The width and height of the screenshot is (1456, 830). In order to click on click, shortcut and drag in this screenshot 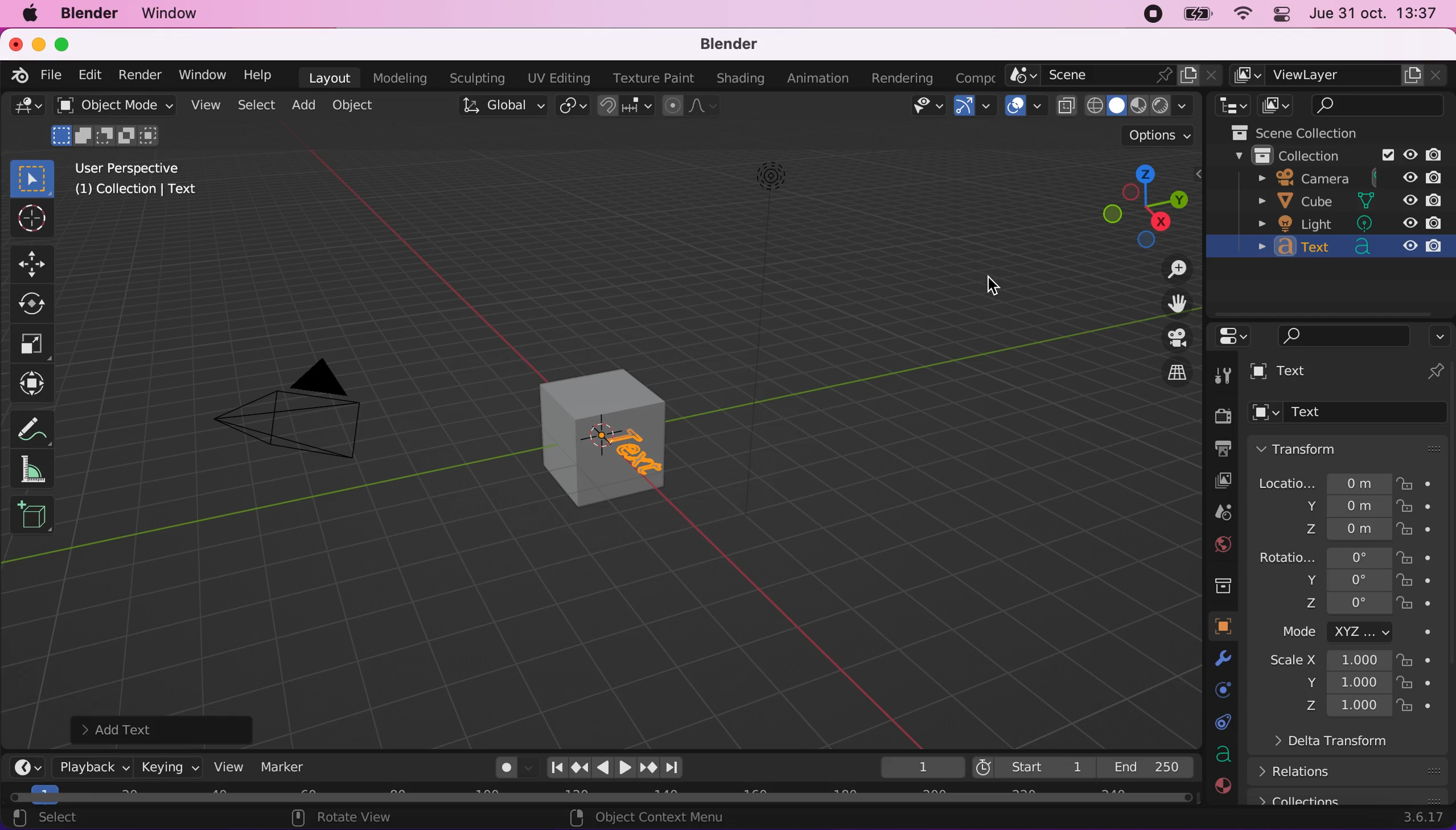, I will do `click(1132, 206)`.